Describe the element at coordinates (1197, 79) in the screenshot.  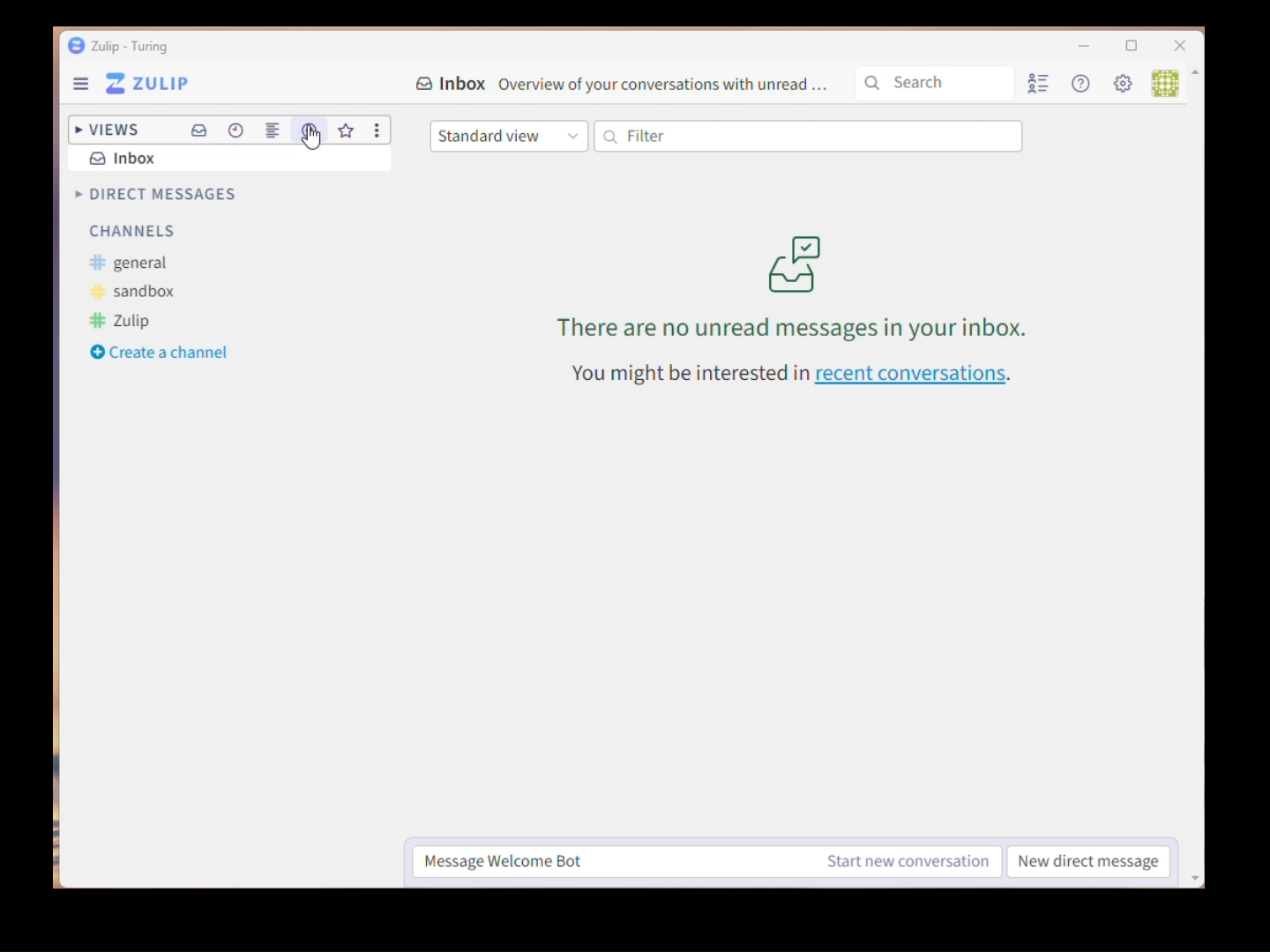
I see `Up` at that location.